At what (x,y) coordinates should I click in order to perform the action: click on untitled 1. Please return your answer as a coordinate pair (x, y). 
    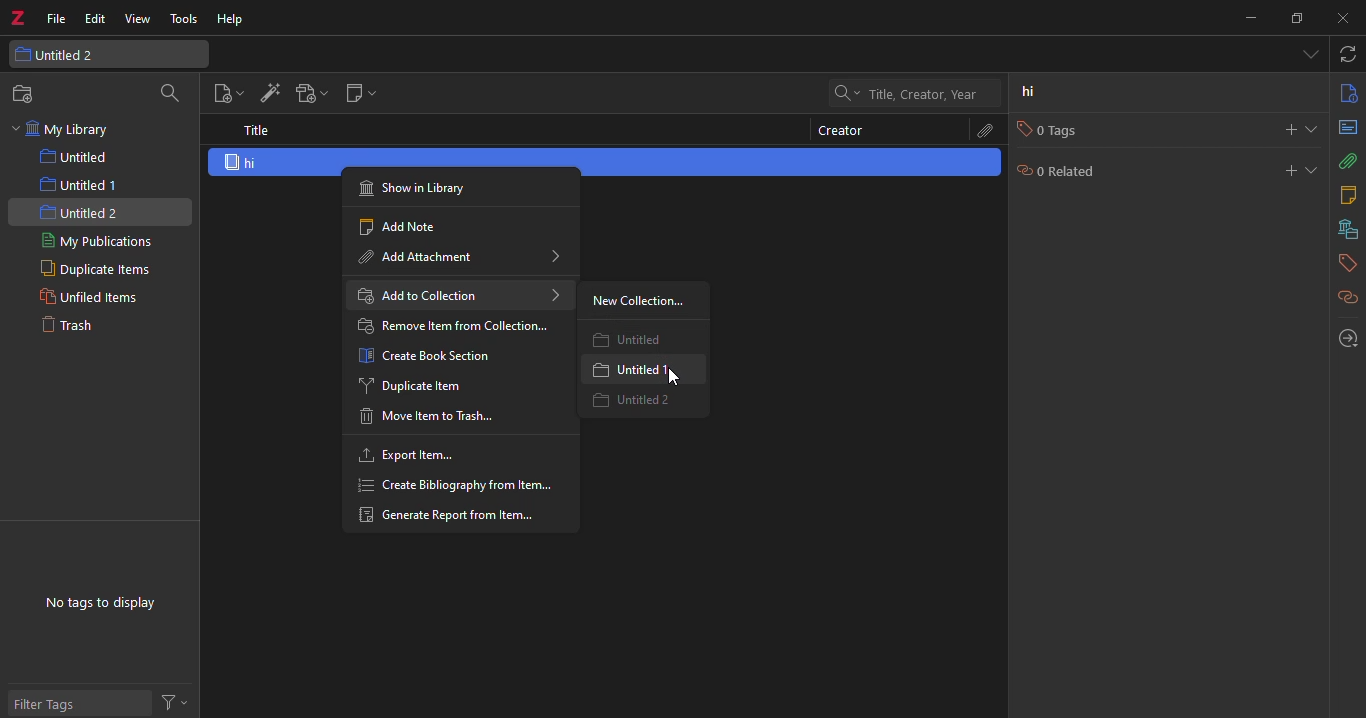
    Looking at the image, I should click on (79, 183).